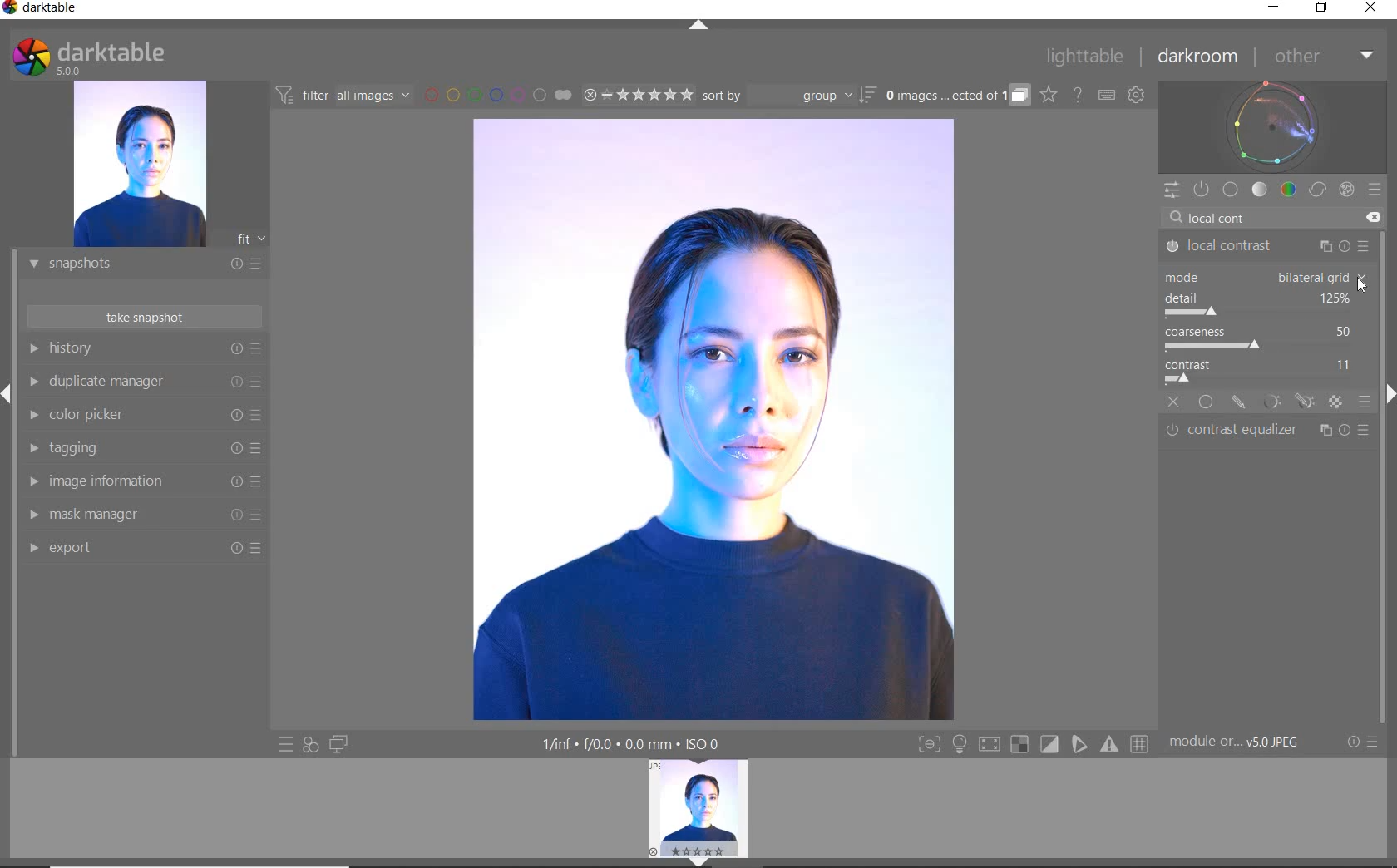 The width and height of the screenshot is (1397, 868). I want to click on IMAGE PREVIEW, so click(139, 165).